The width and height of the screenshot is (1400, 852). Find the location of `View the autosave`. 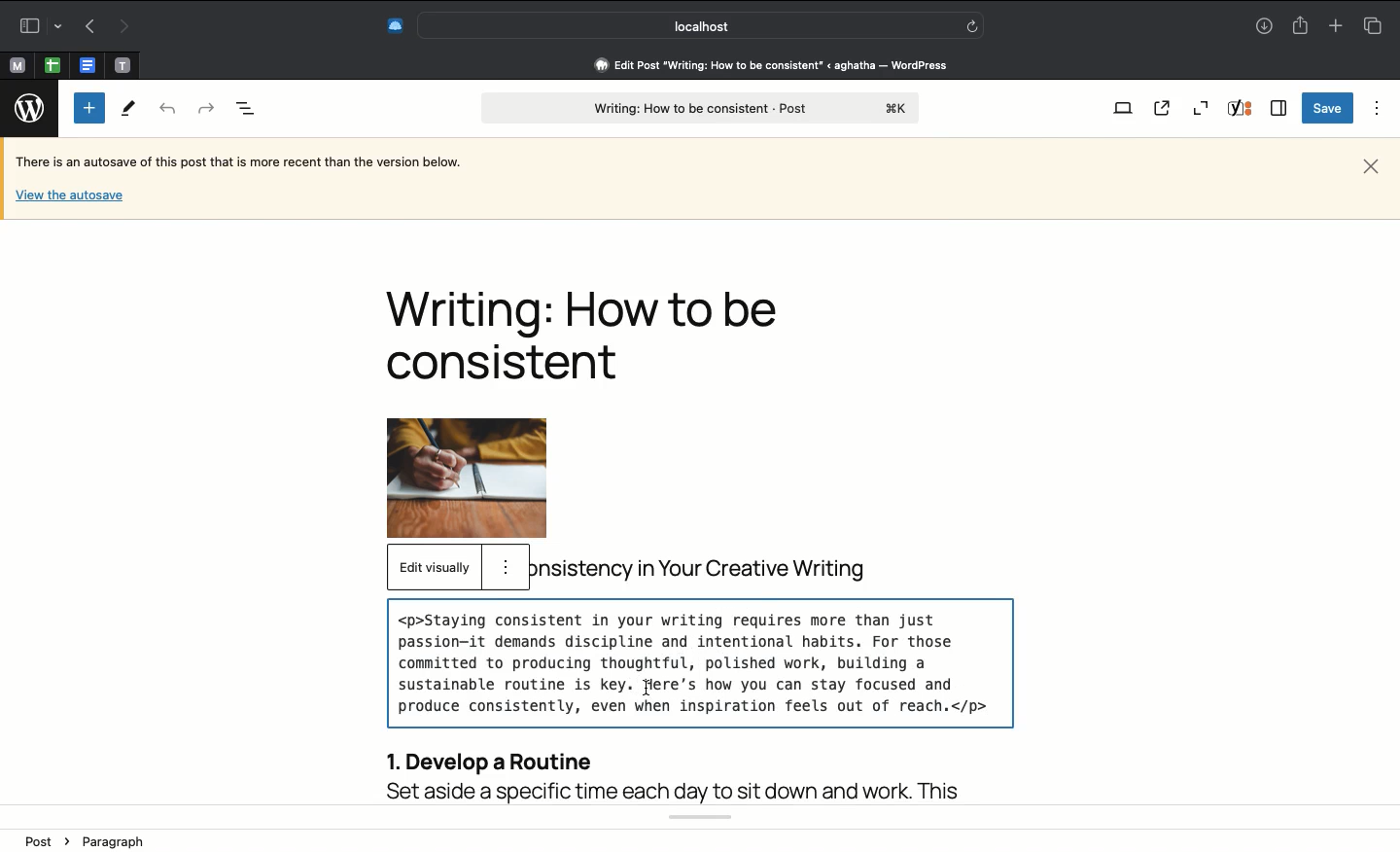

View the autosave is located at coordinates (69, 194).